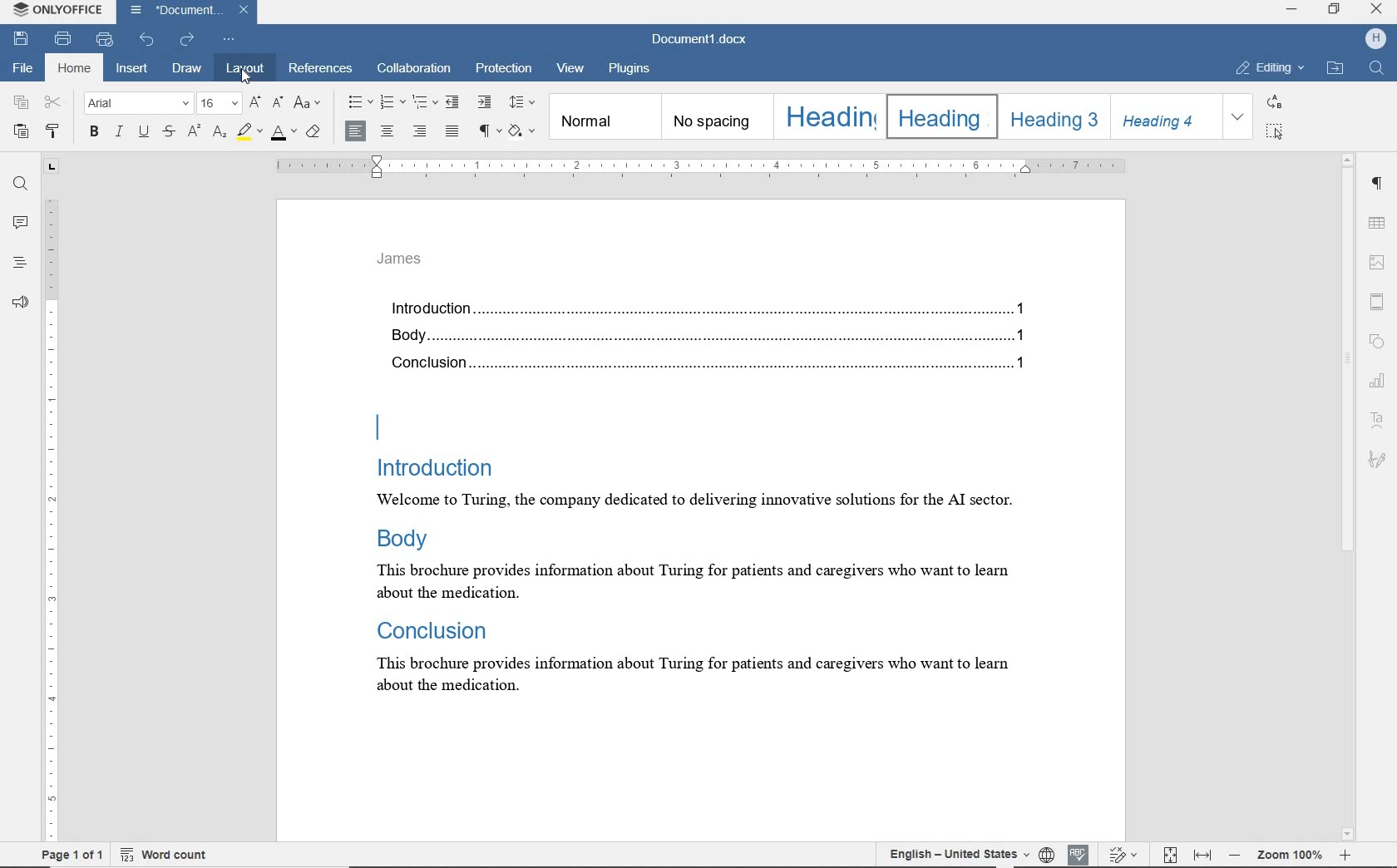 Image resolution: width=1397 pixels, height=868 pixels. I want to click on view, so click(570, 68).